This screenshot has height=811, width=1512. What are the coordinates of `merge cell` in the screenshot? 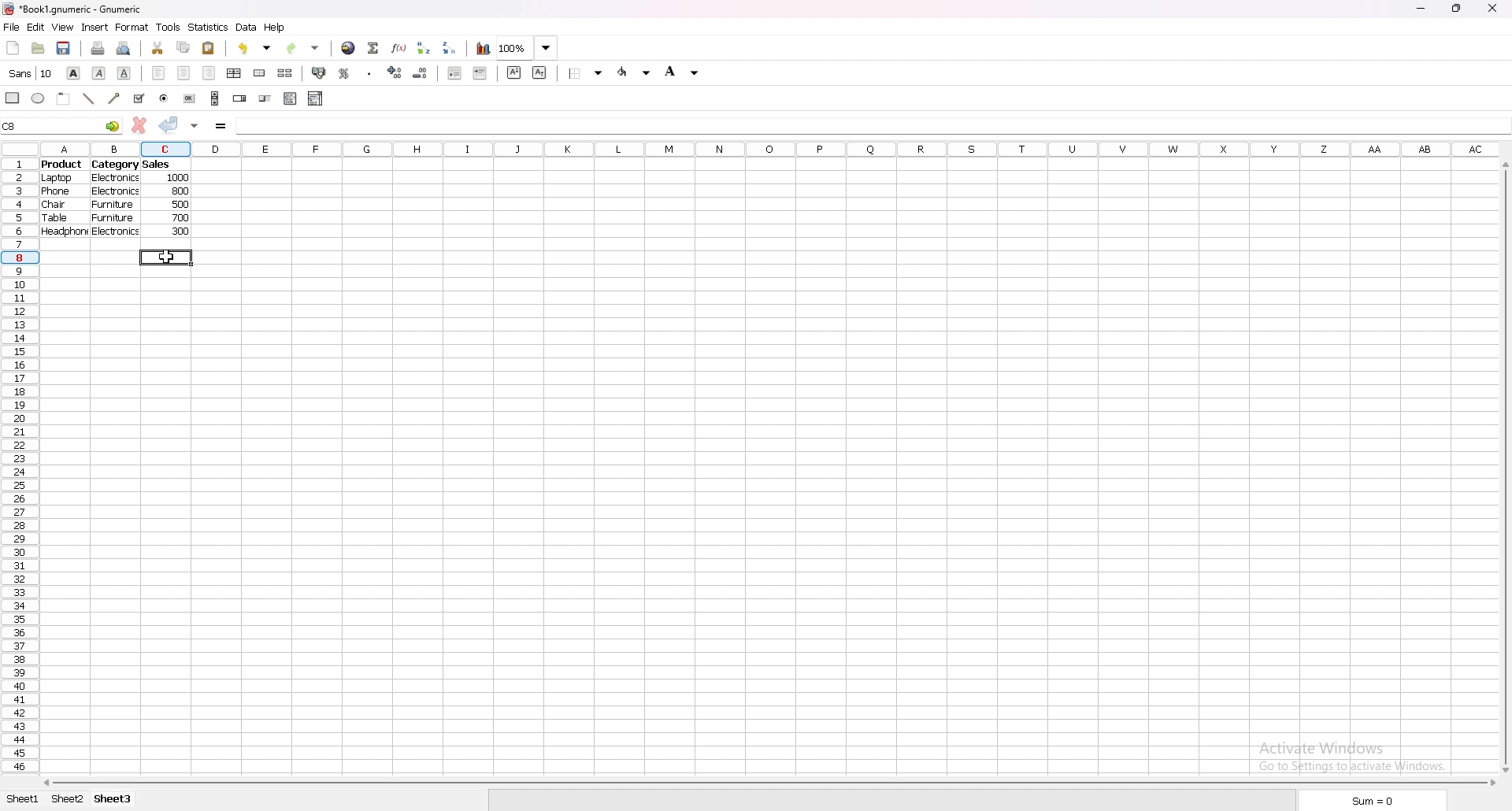 It's located at (260, 73).